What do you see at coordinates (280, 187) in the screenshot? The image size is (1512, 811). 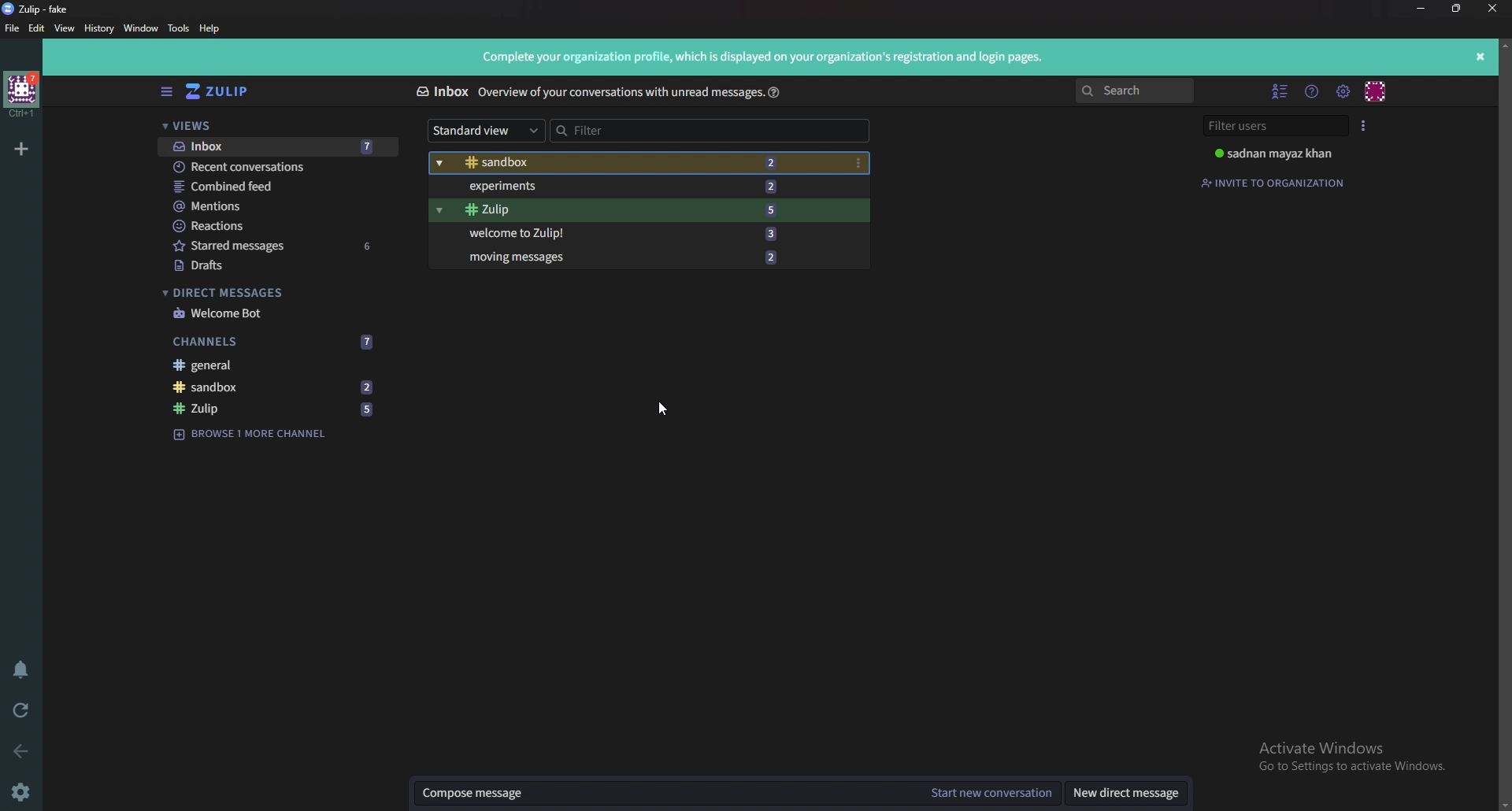 I see `Combine feed` at bounding box center [280, 187].